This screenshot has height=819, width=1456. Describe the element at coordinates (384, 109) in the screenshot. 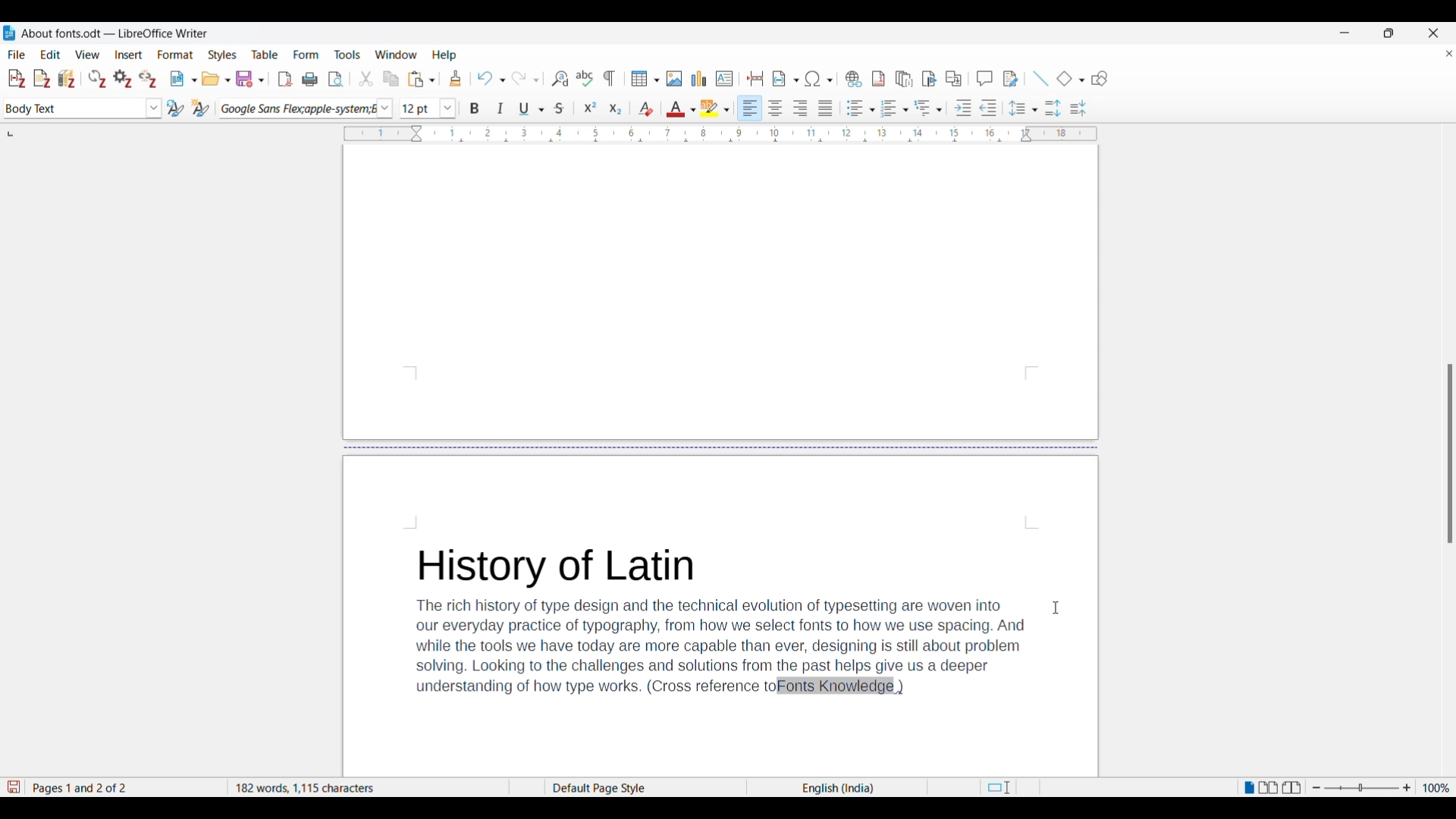

I see `Font options ` at that location.